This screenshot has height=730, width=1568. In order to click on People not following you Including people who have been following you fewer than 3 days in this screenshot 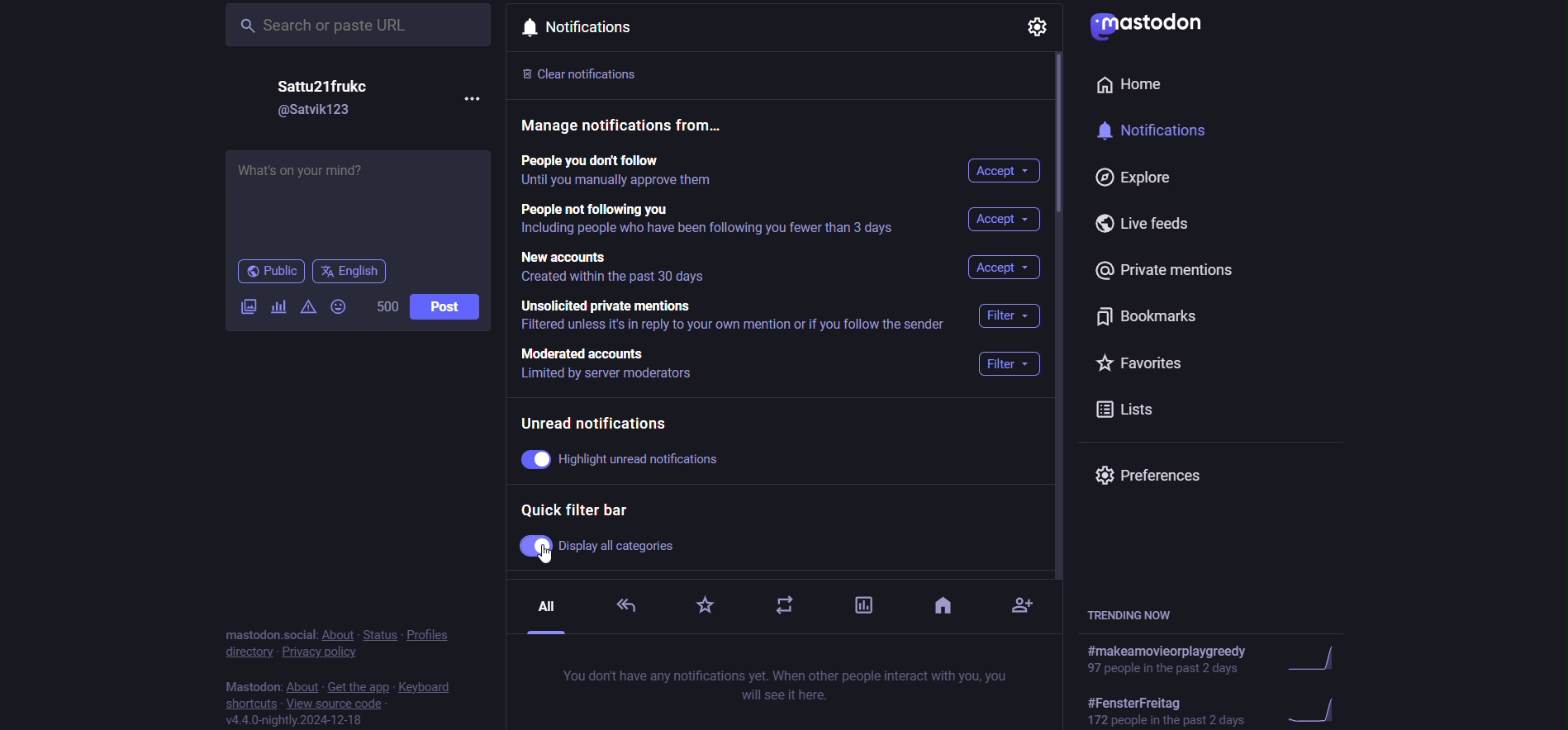, I will do `click(712, 221)`.